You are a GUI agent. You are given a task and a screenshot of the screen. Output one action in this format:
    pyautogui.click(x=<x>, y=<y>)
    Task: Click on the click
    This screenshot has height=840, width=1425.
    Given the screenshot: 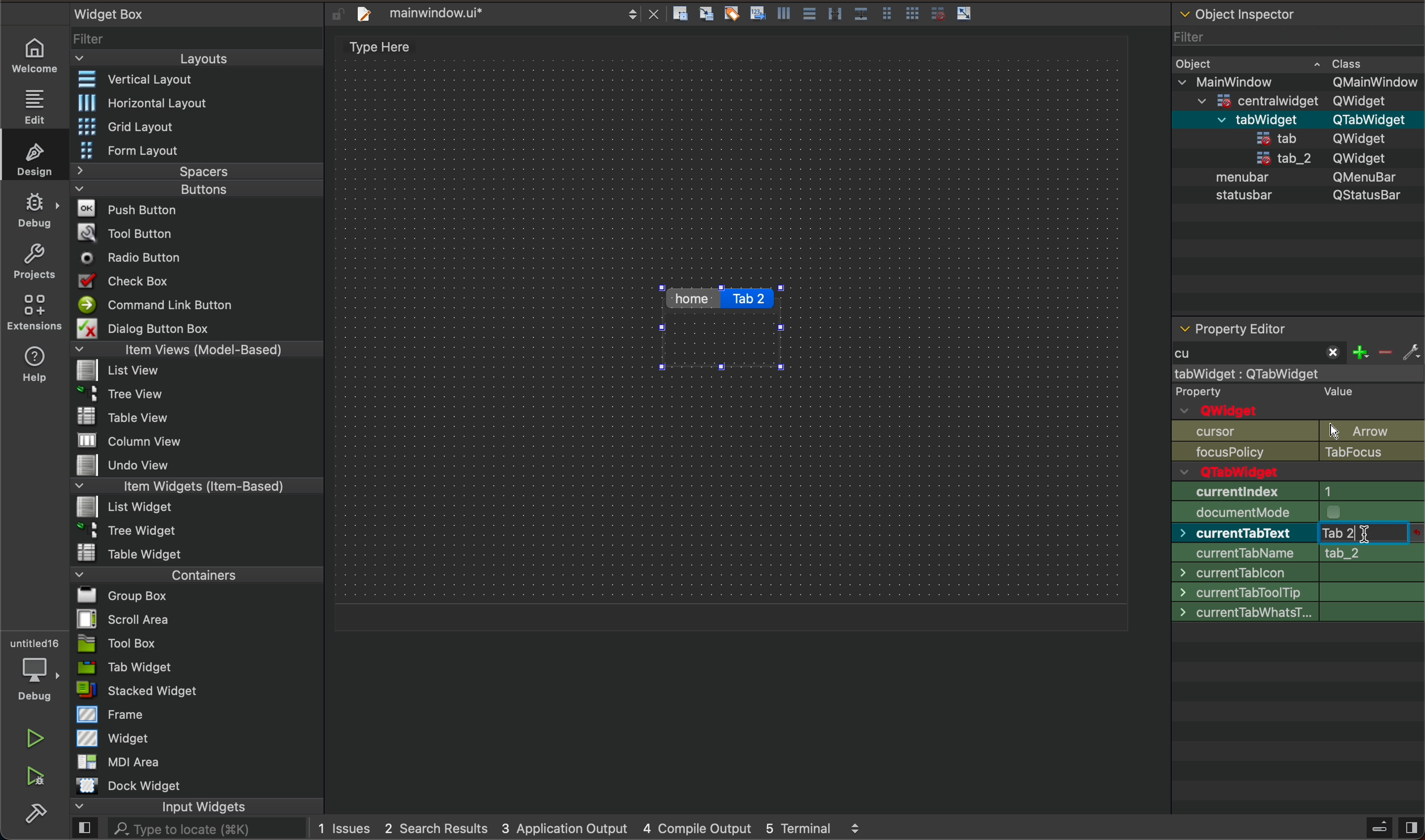 What is the action you would take?
    pyautogui.click(x=1372, y=535)
    